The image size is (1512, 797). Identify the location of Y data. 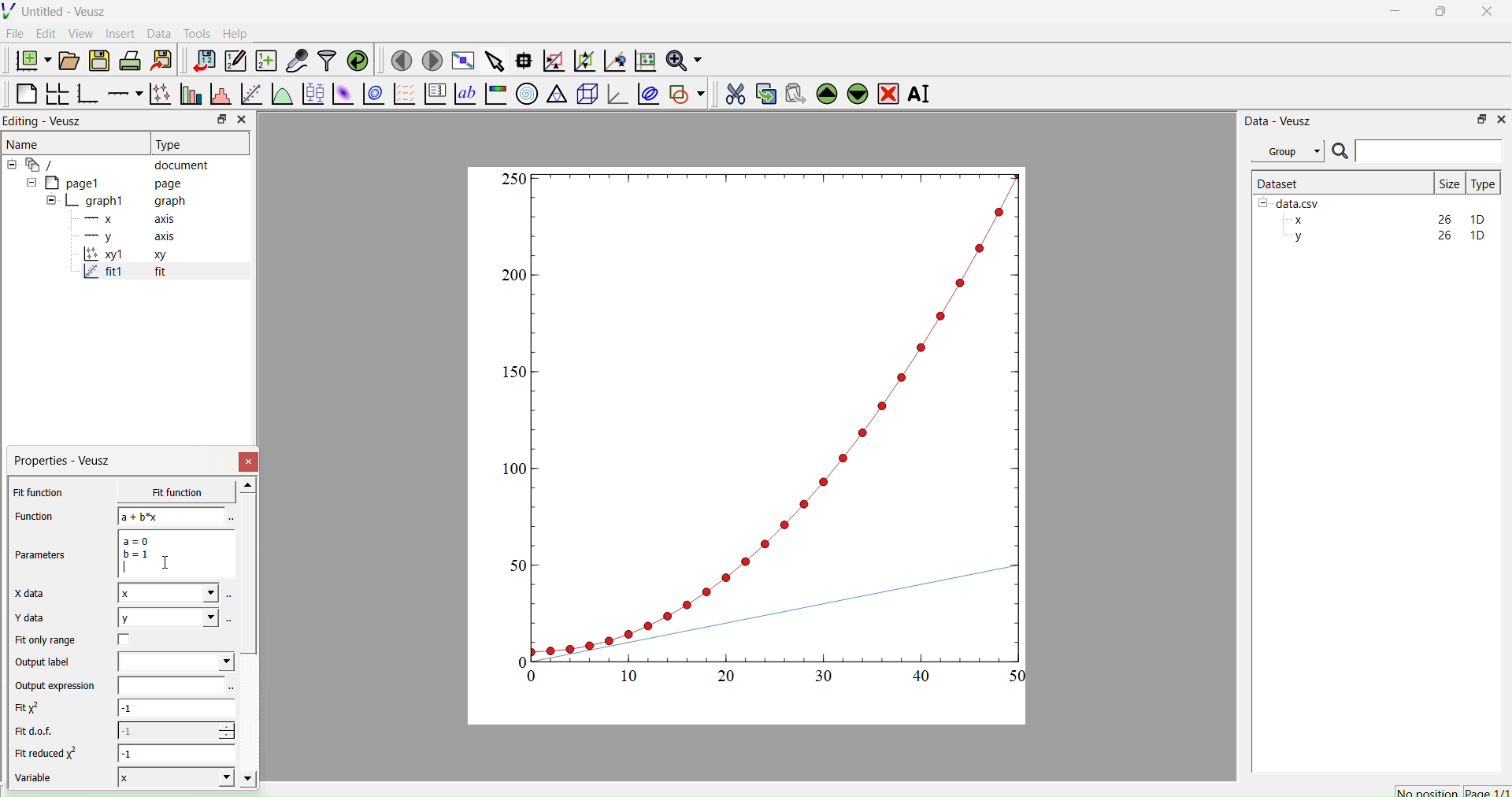
(39, 618).